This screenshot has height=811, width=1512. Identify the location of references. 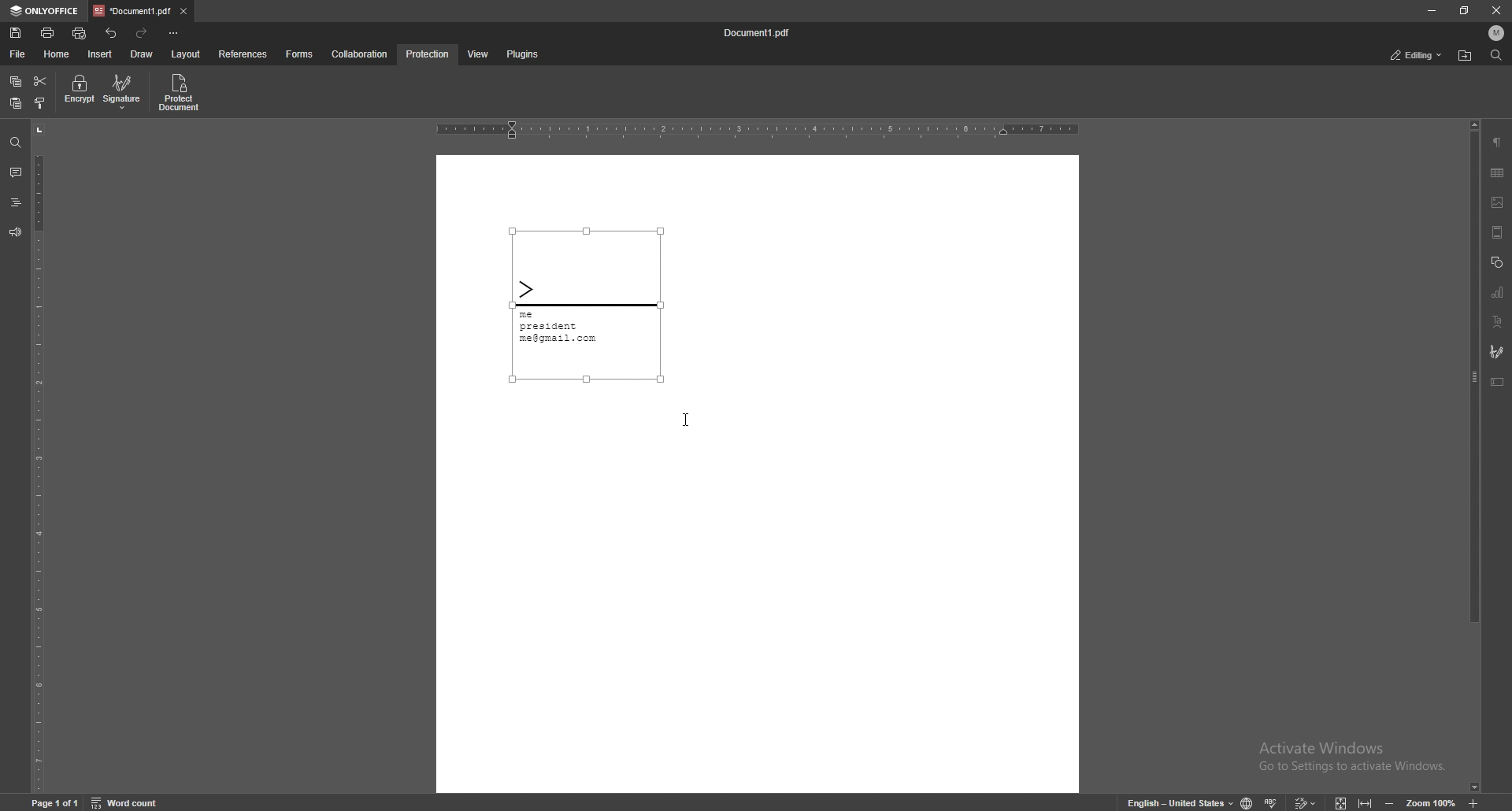
(245, 54).